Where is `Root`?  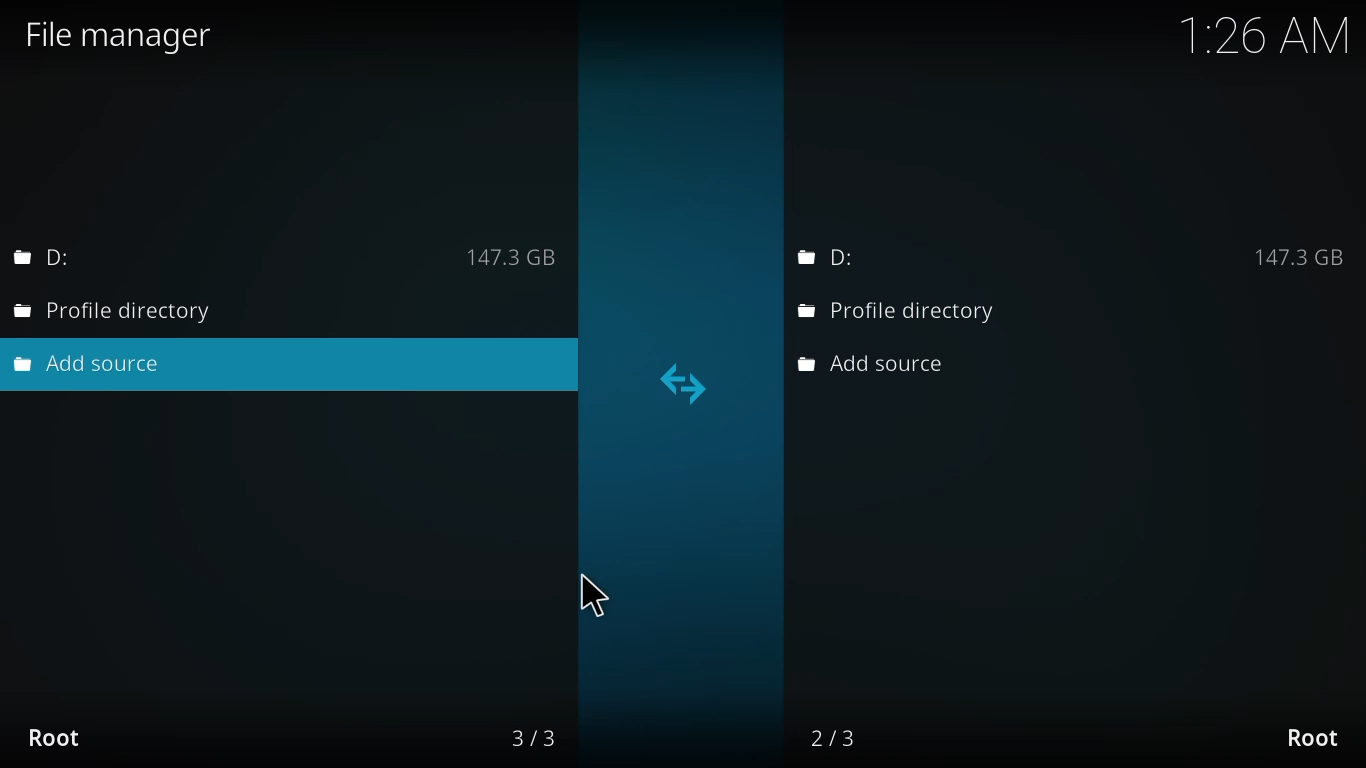
Root is located at coordinates (1312, 737).